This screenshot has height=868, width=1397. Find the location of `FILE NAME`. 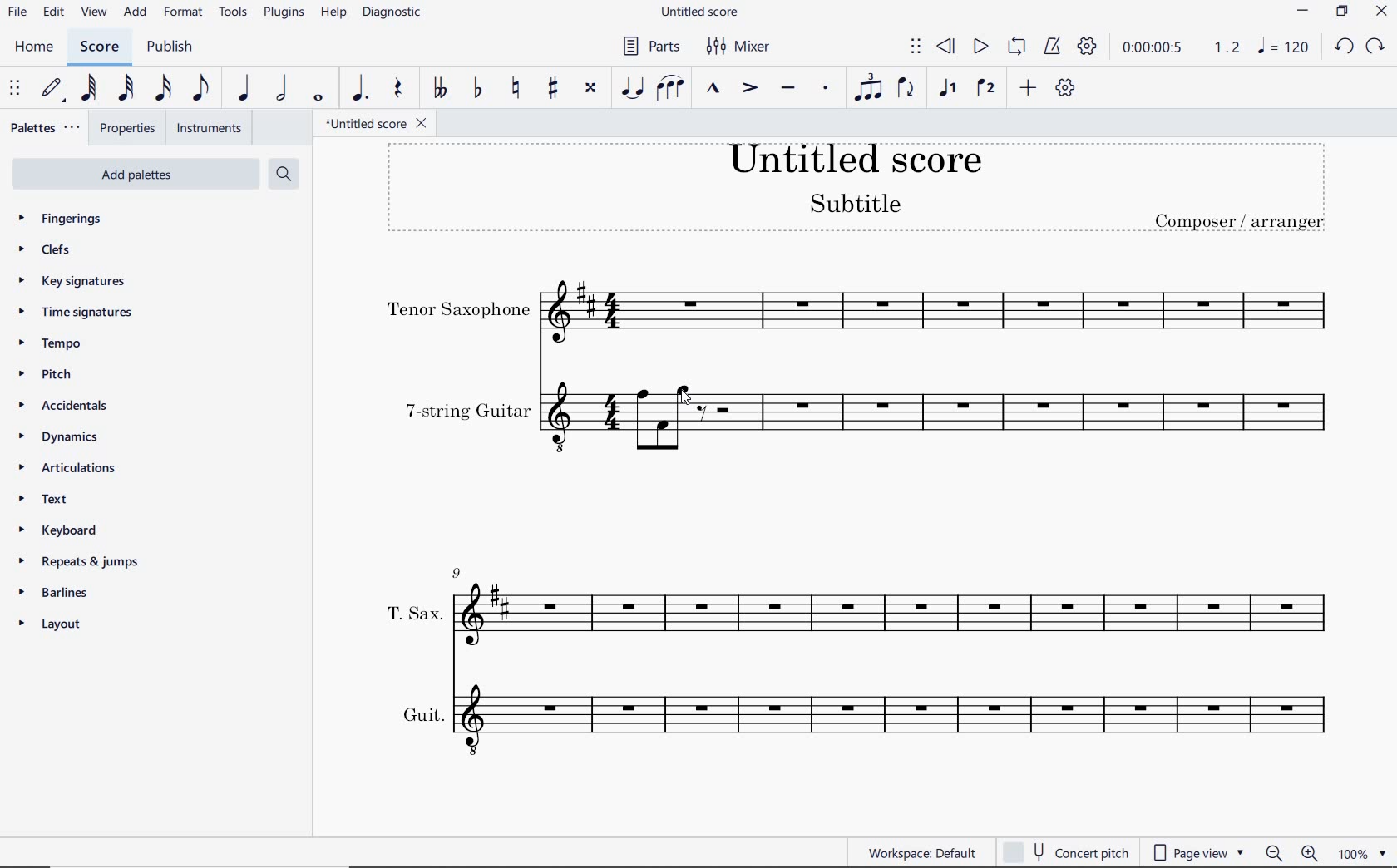

FILE NAME is located at coordinates (701, 13).